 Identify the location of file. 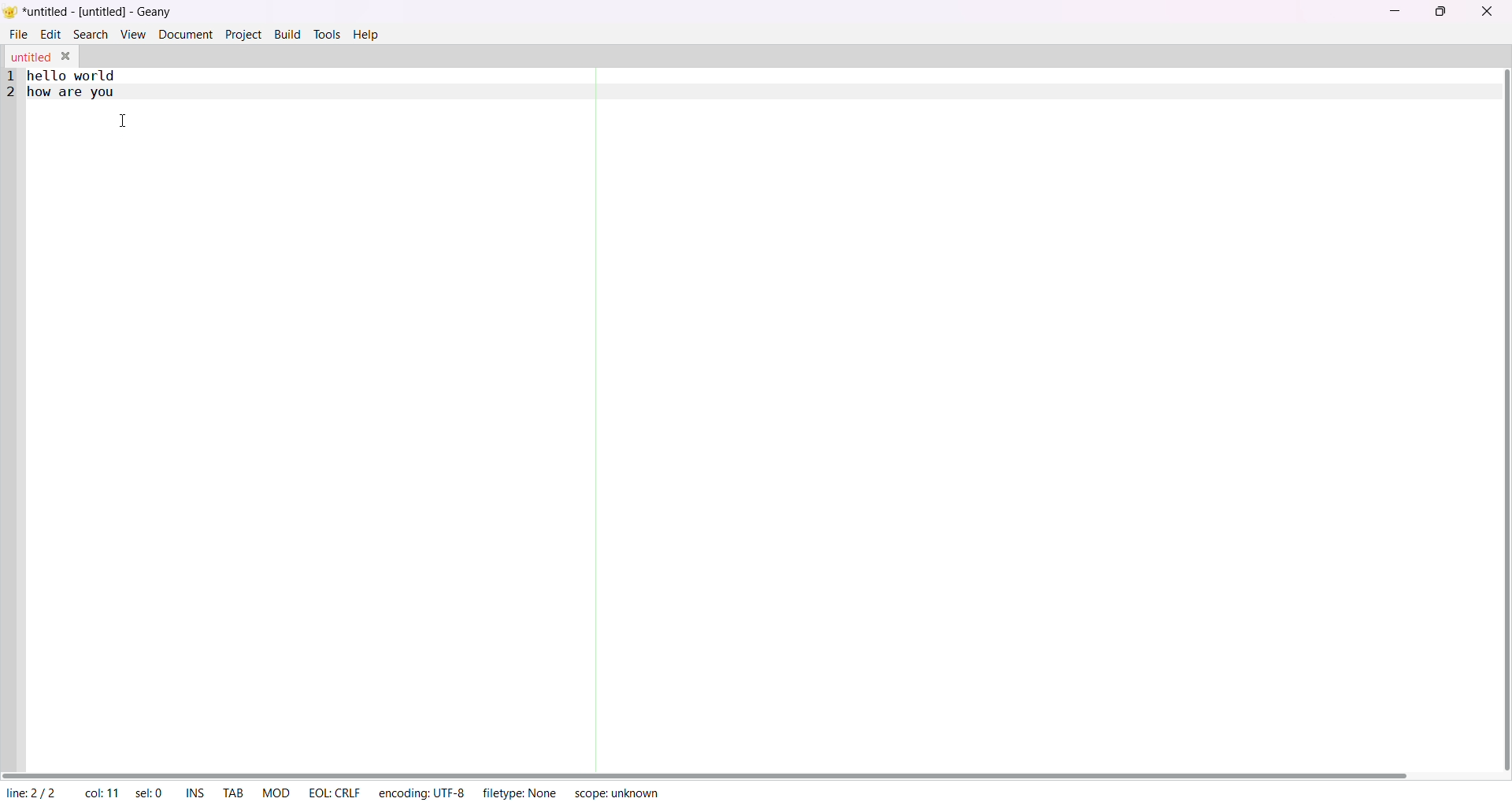
(20, 35).